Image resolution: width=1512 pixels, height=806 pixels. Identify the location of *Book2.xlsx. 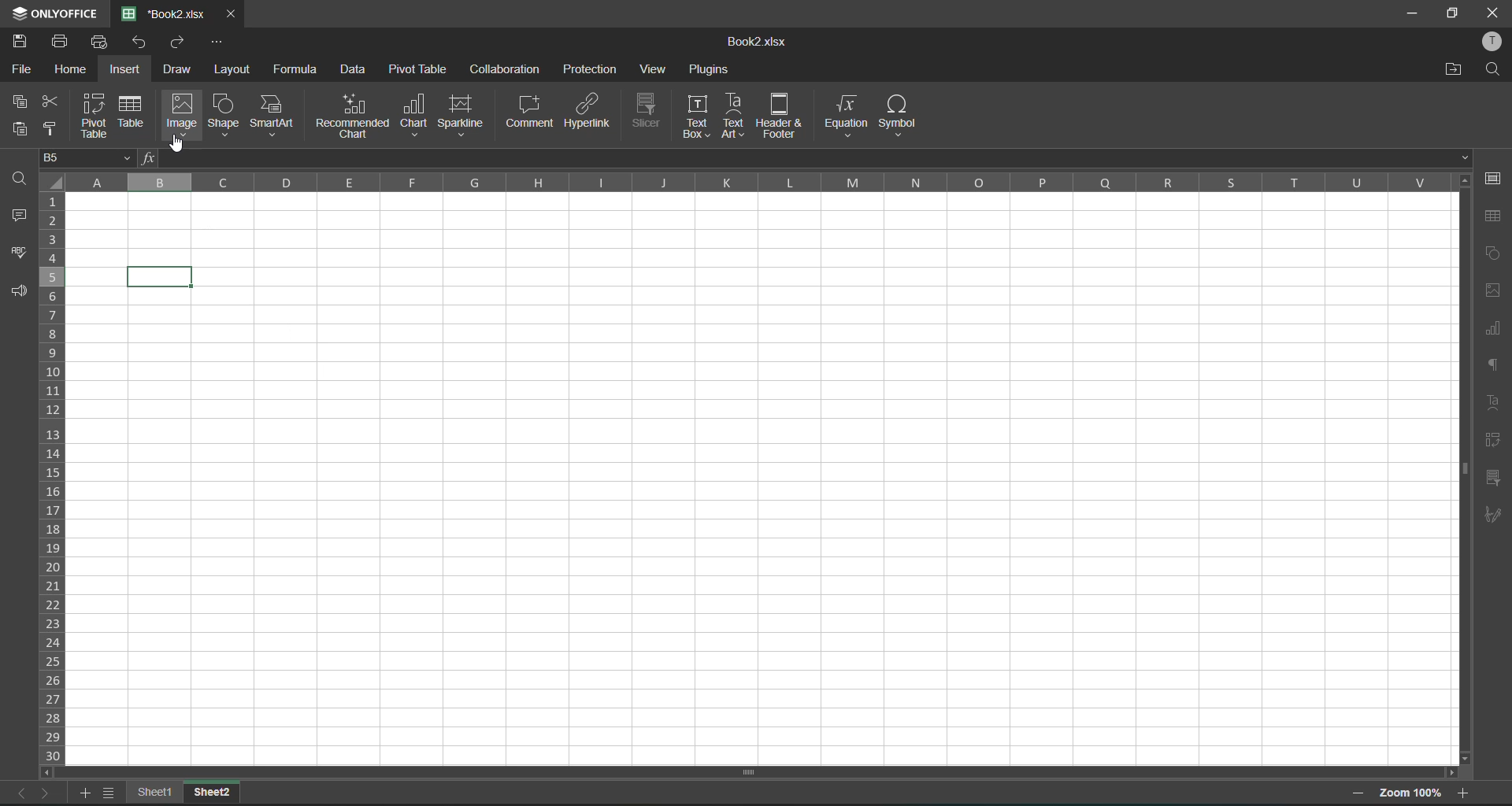
(165, 13).